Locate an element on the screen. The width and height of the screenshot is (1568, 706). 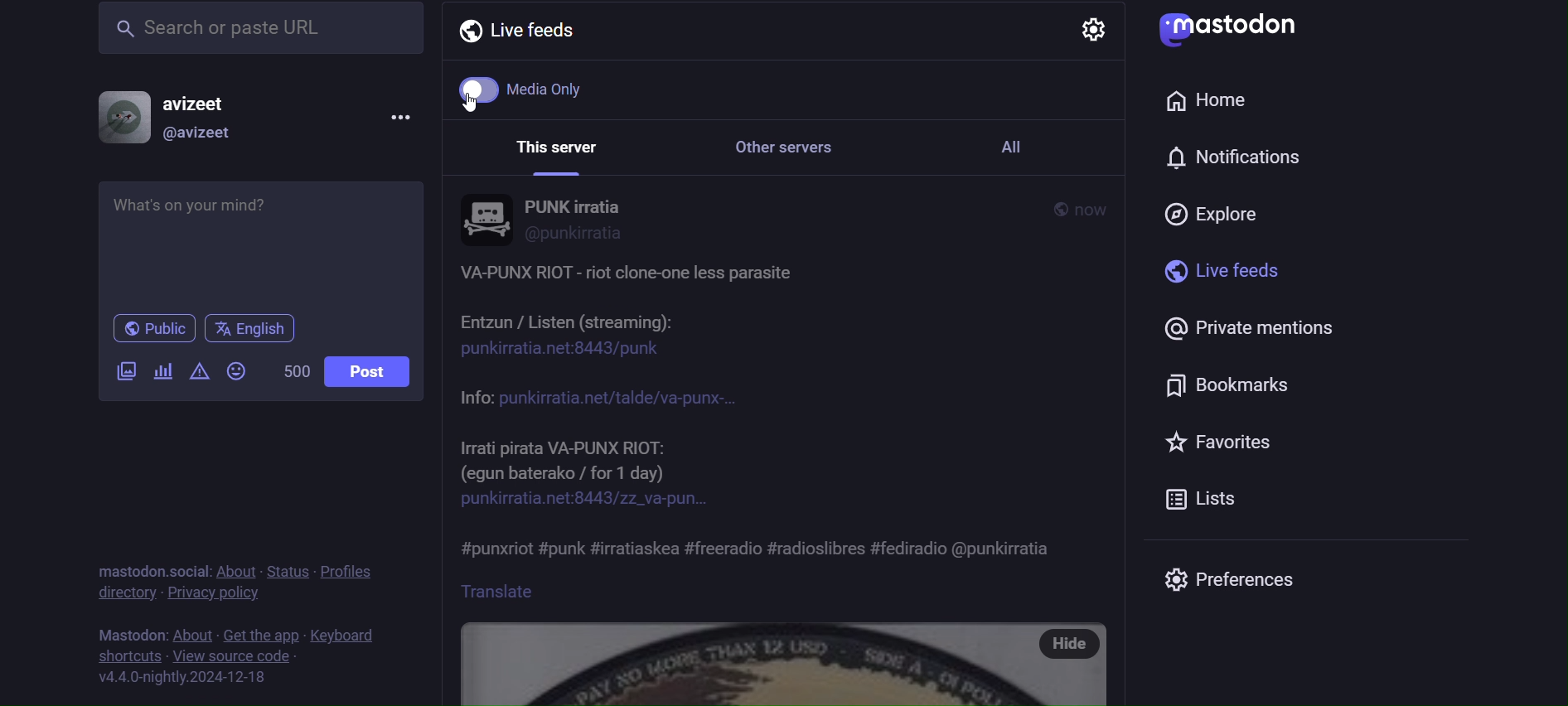
Other servers is located at coordinates (803, 147).